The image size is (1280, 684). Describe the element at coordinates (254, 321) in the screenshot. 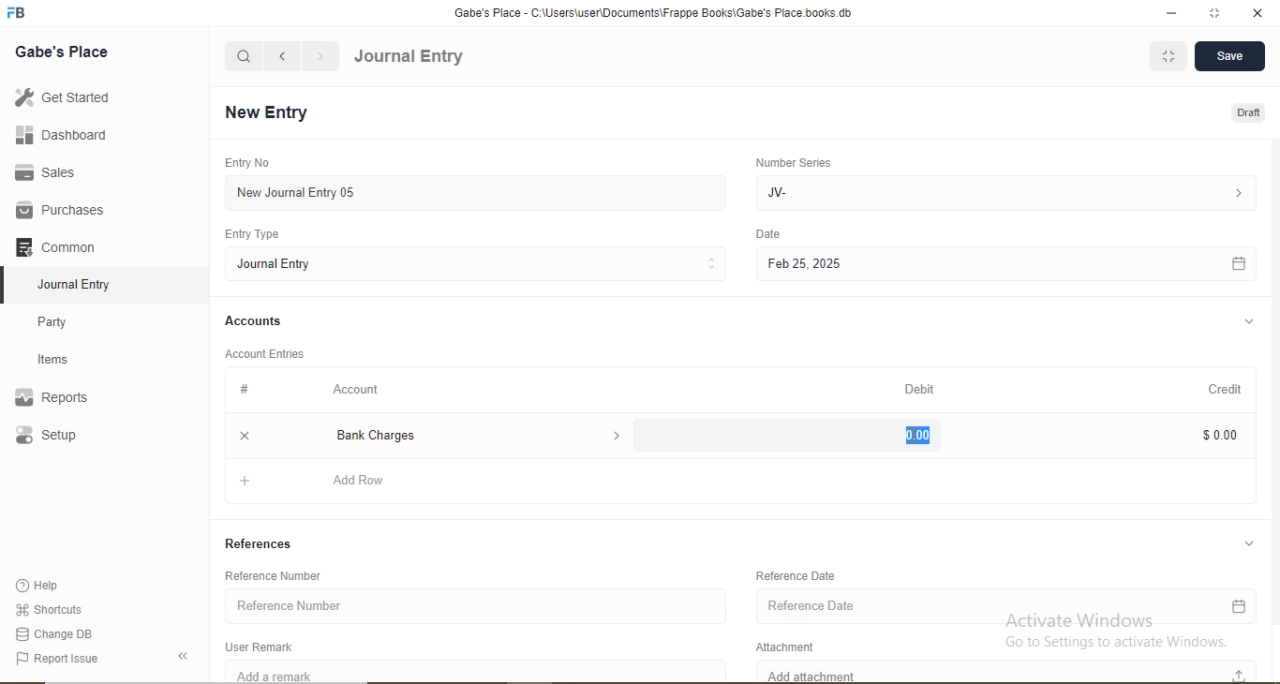

I see `Accounts.` at that location.